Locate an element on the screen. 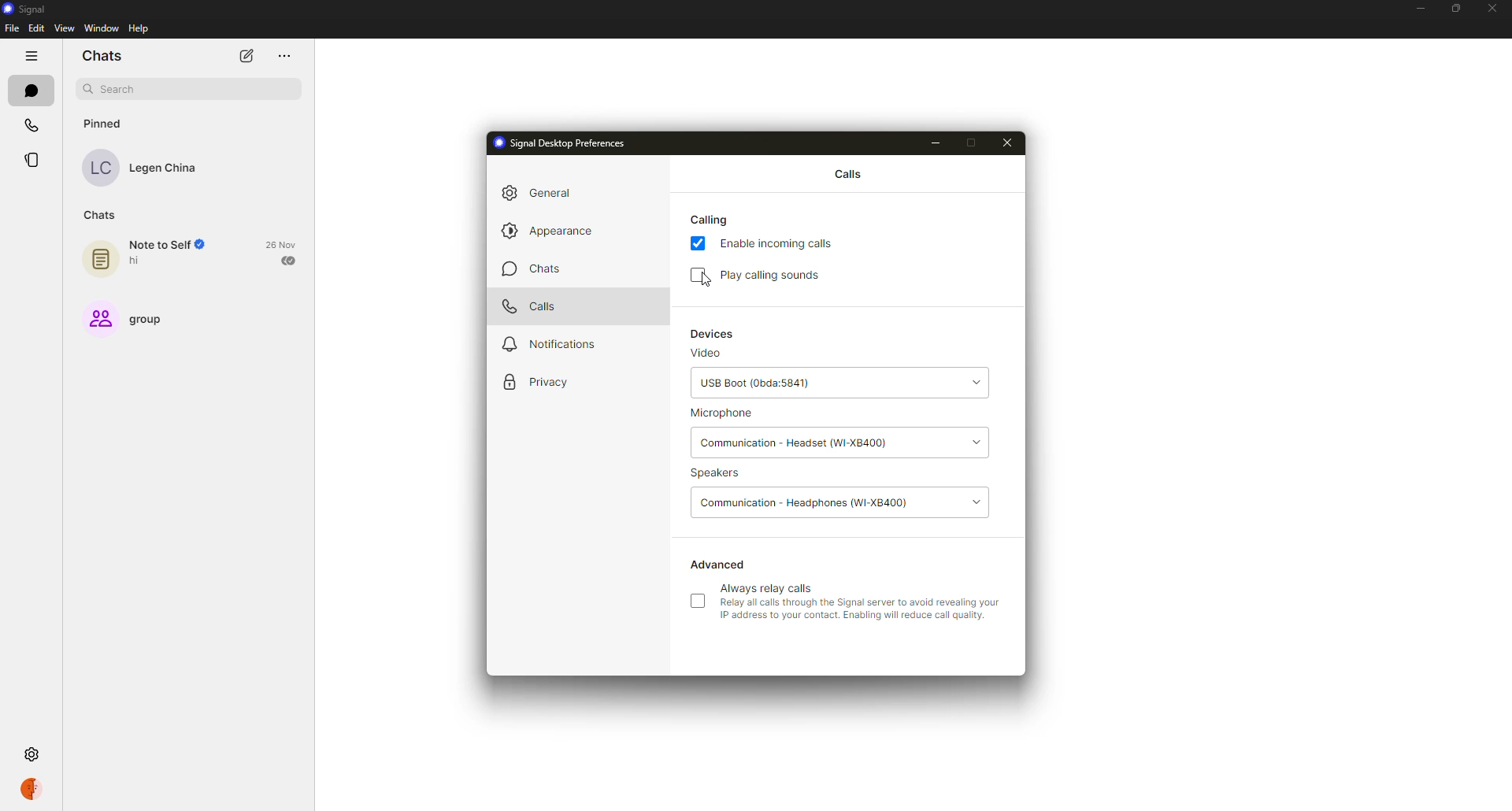 This screenshot has width=1512, height=811. new chat is located at coordinates (246, 55).